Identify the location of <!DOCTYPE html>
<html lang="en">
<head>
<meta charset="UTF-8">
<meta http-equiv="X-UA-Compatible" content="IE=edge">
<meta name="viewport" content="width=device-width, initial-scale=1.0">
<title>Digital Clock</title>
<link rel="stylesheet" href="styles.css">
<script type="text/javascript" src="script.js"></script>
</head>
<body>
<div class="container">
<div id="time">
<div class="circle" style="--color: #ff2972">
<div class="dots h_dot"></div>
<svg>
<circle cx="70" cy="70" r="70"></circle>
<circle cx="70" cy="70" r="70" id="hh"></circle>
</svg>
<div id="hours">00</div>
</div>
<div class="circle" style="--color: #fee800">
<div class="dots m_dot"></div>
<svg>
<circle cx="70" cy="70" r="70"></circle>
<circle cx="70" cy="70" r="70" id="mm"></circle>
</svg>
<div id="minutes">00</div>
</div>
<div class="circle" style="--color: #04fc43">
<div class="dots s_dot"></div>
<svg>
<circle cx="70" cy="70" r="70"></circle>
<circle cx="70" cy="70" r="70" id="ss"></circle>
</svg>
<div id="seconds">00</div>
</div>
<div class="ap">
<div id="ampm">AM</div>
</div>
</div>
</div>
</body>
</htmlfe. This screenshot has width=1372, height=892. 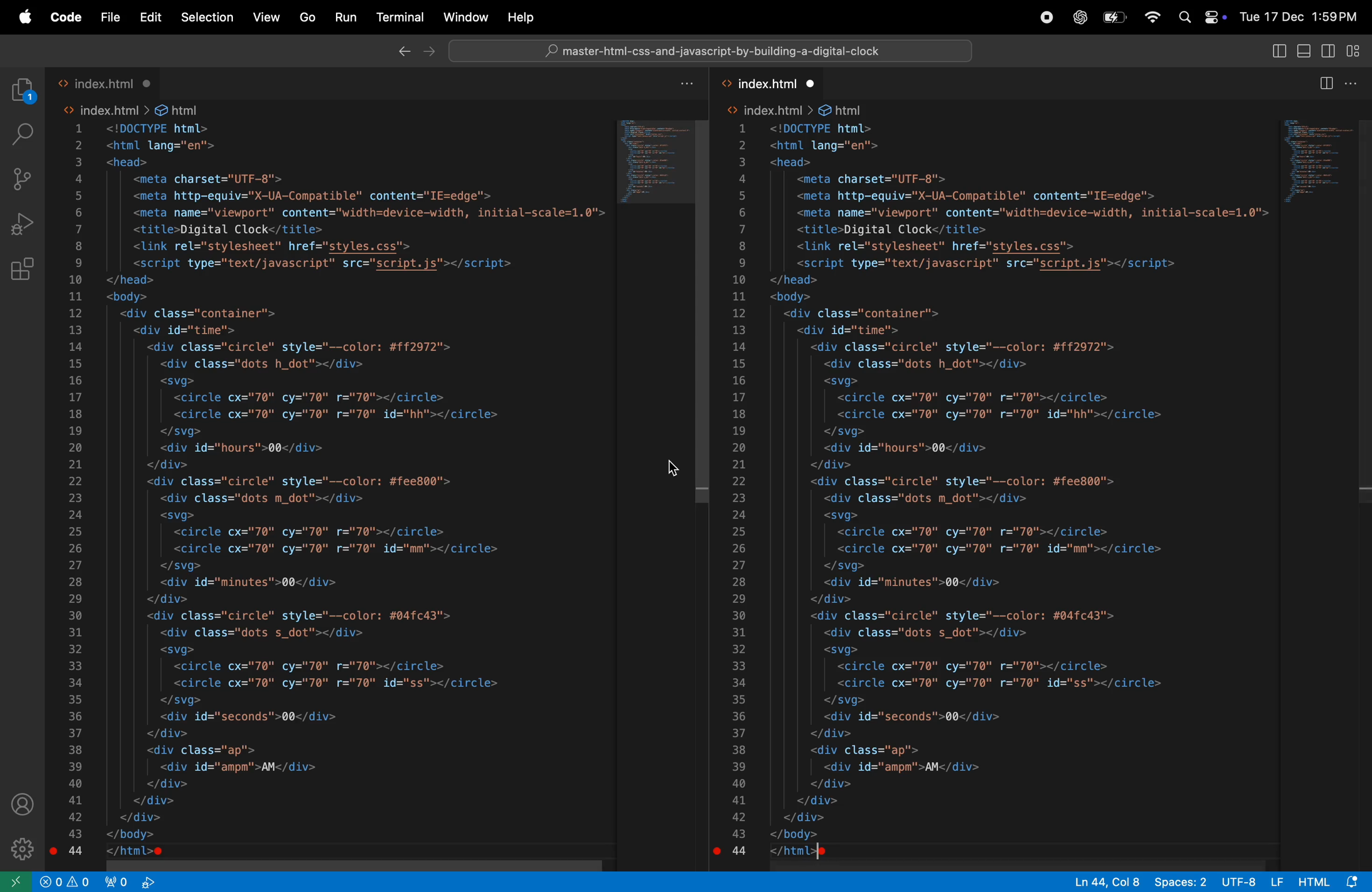
(1019, 494).